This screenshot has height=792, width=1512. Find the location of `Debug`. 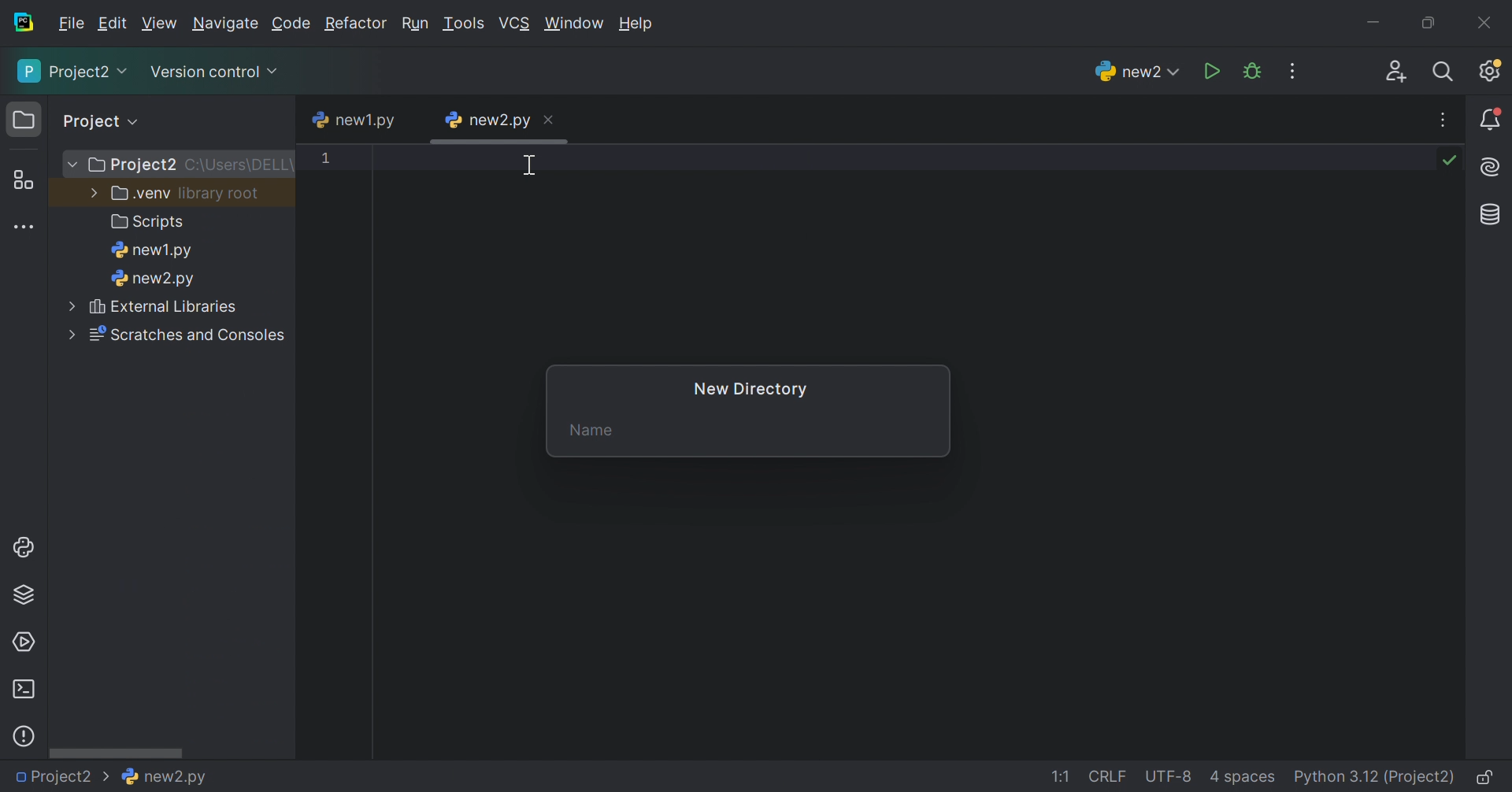

Debug is located at coordinates (1251, 71).